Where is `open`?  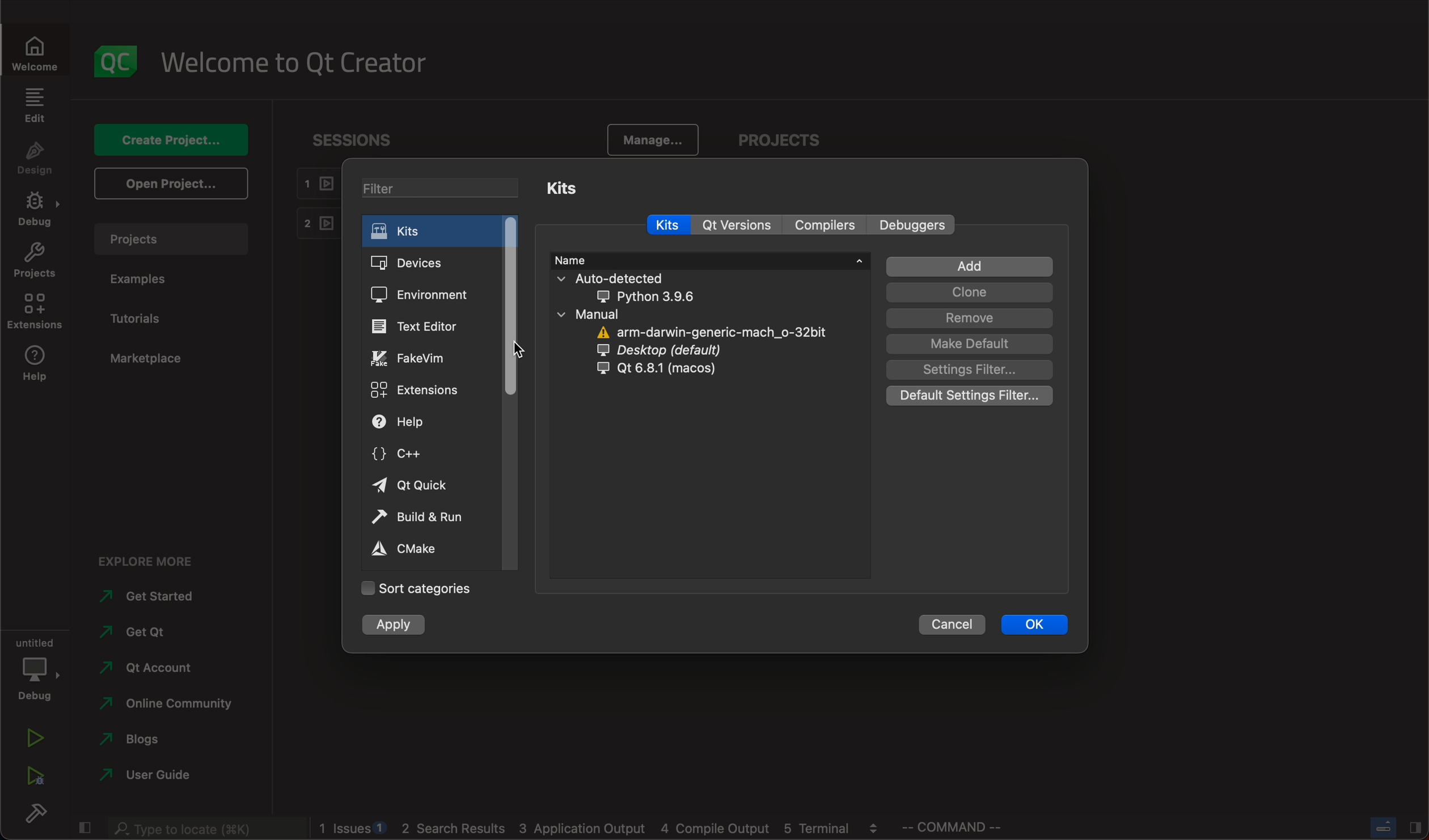
open is located at coordinates (174, 184).